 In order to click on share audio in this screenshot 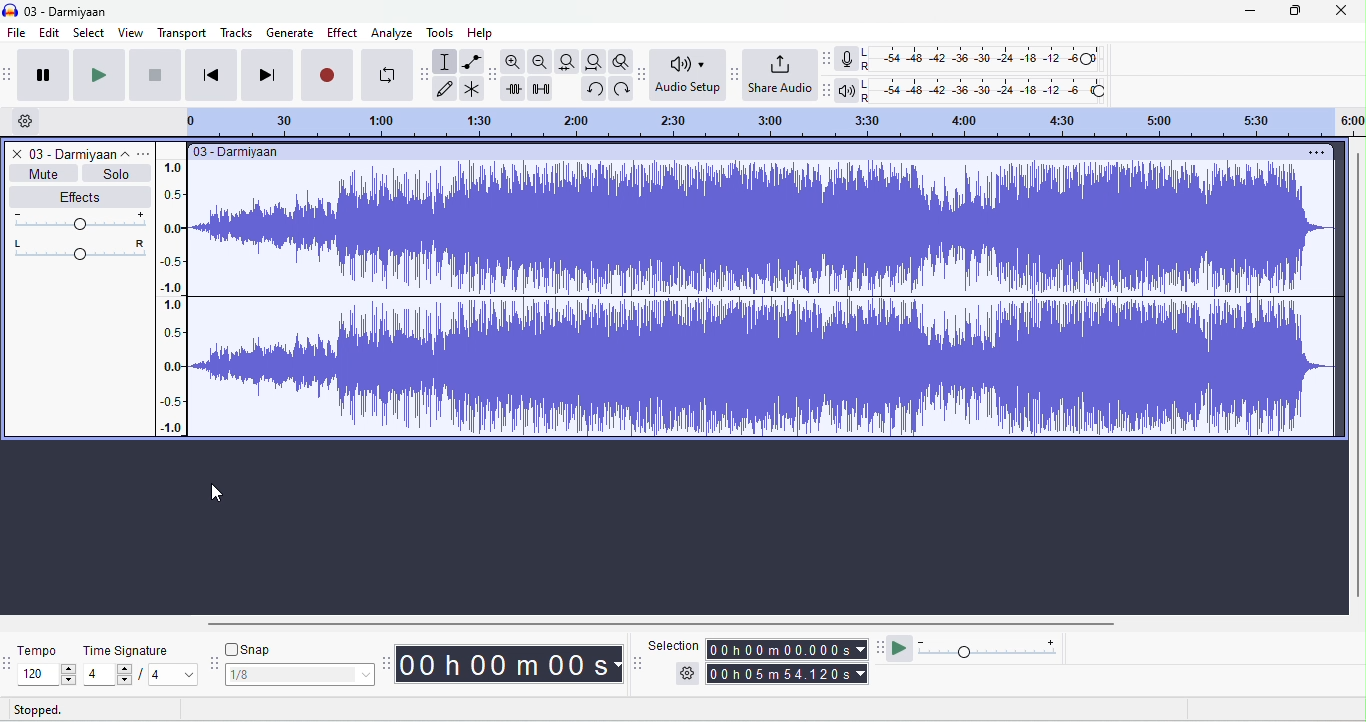, I will do `click(779, 76)`.